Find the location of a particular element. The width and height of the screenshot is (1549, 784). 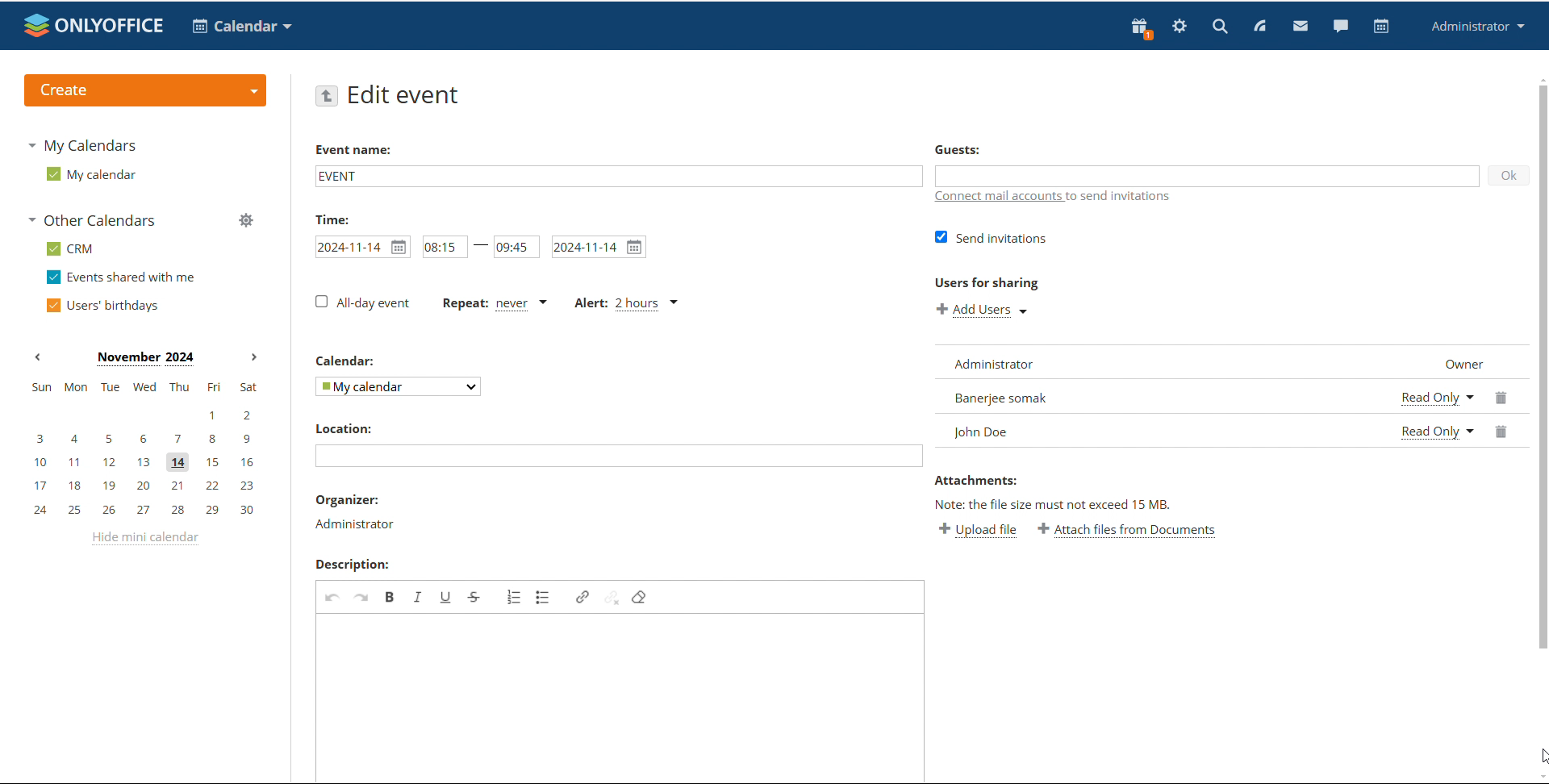

feed is located at coordinates (1259, 27).